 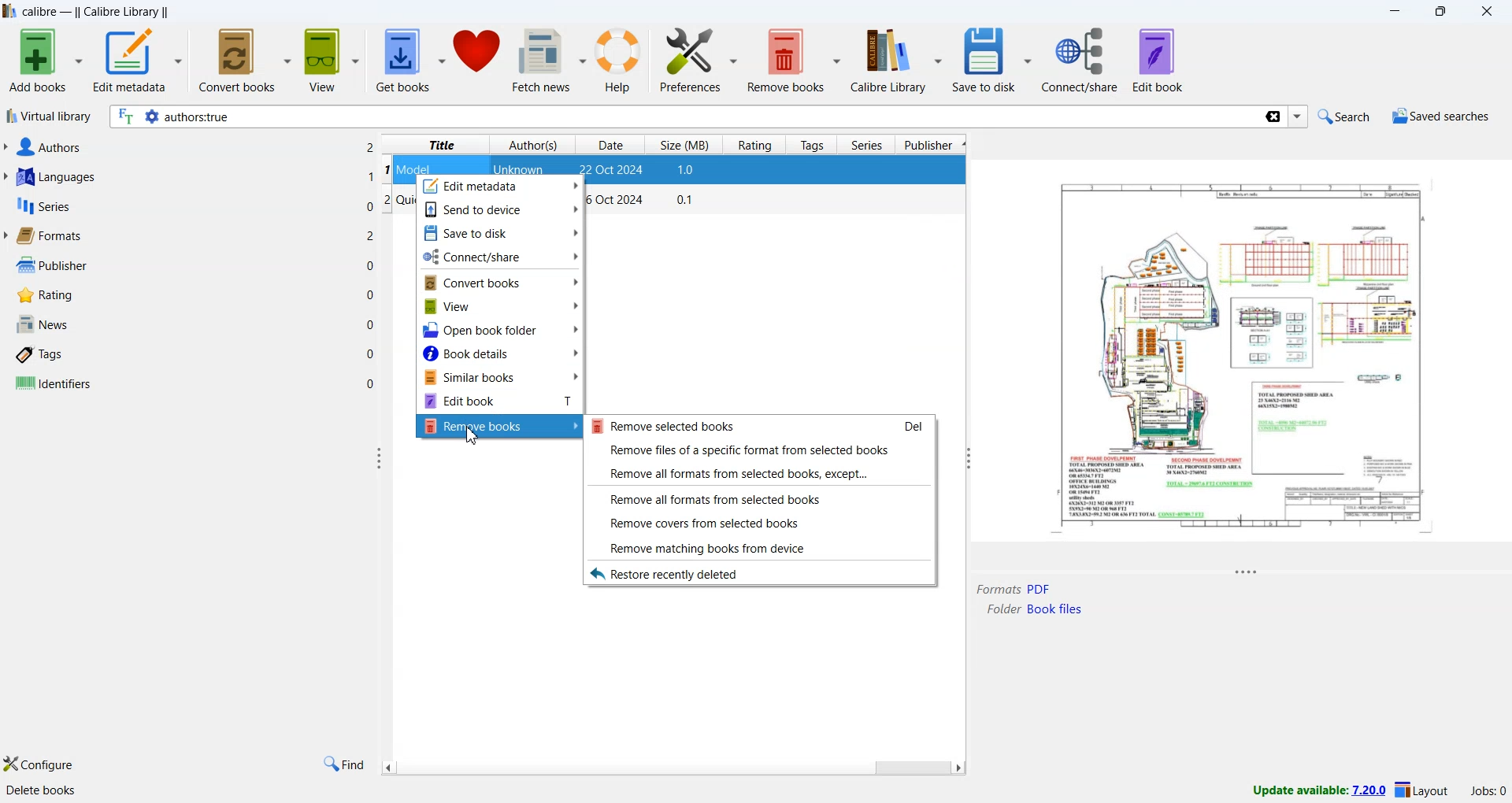 What do you see at coordinates (1158, 60) in the screenshot?
I see `edit book` at bounding box center [1158, 60].